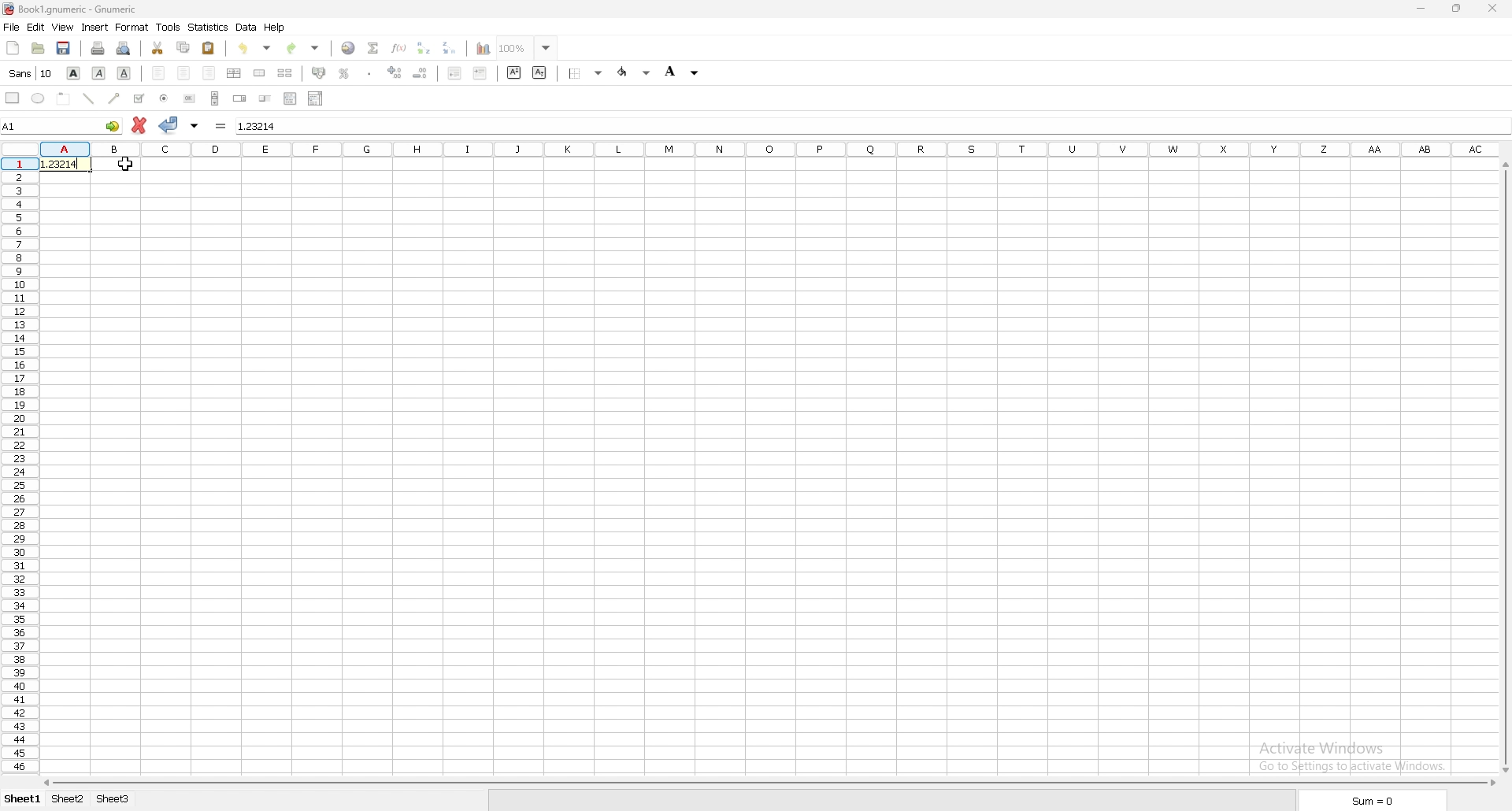 The width and height of the screenshot is (1512, 811). What do you see at coordinates (32, 73) in the screenshot?
I see `font` at bounding box center [32, 73].